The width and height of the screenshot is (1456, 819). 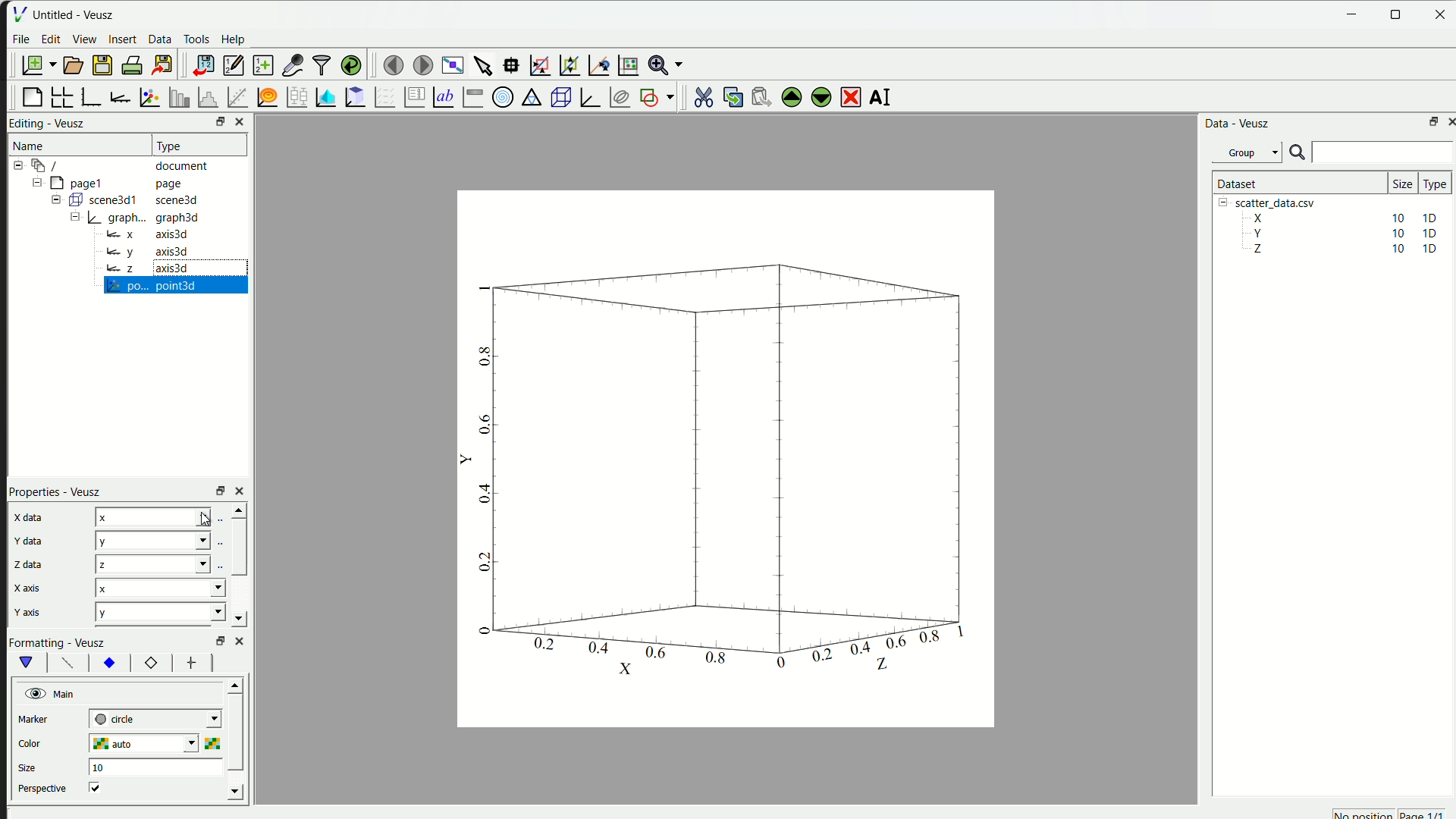 I want to click on plot covariance ellipses, so click(x=617, y=96).